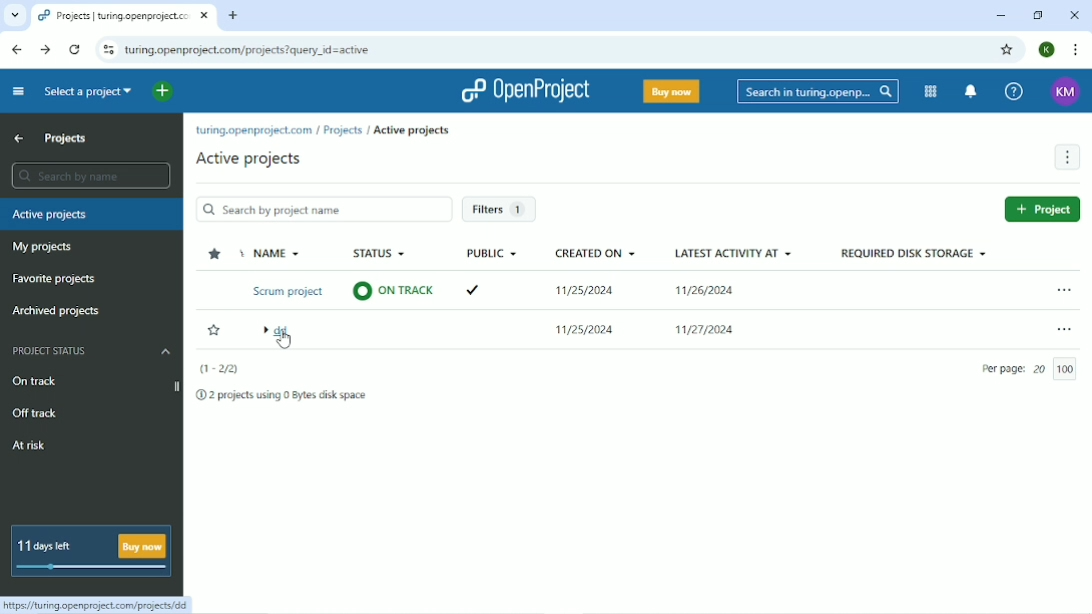  Describe the element at coordinates (500, 209) in the screenshot. I see `Filters 1` at that location.